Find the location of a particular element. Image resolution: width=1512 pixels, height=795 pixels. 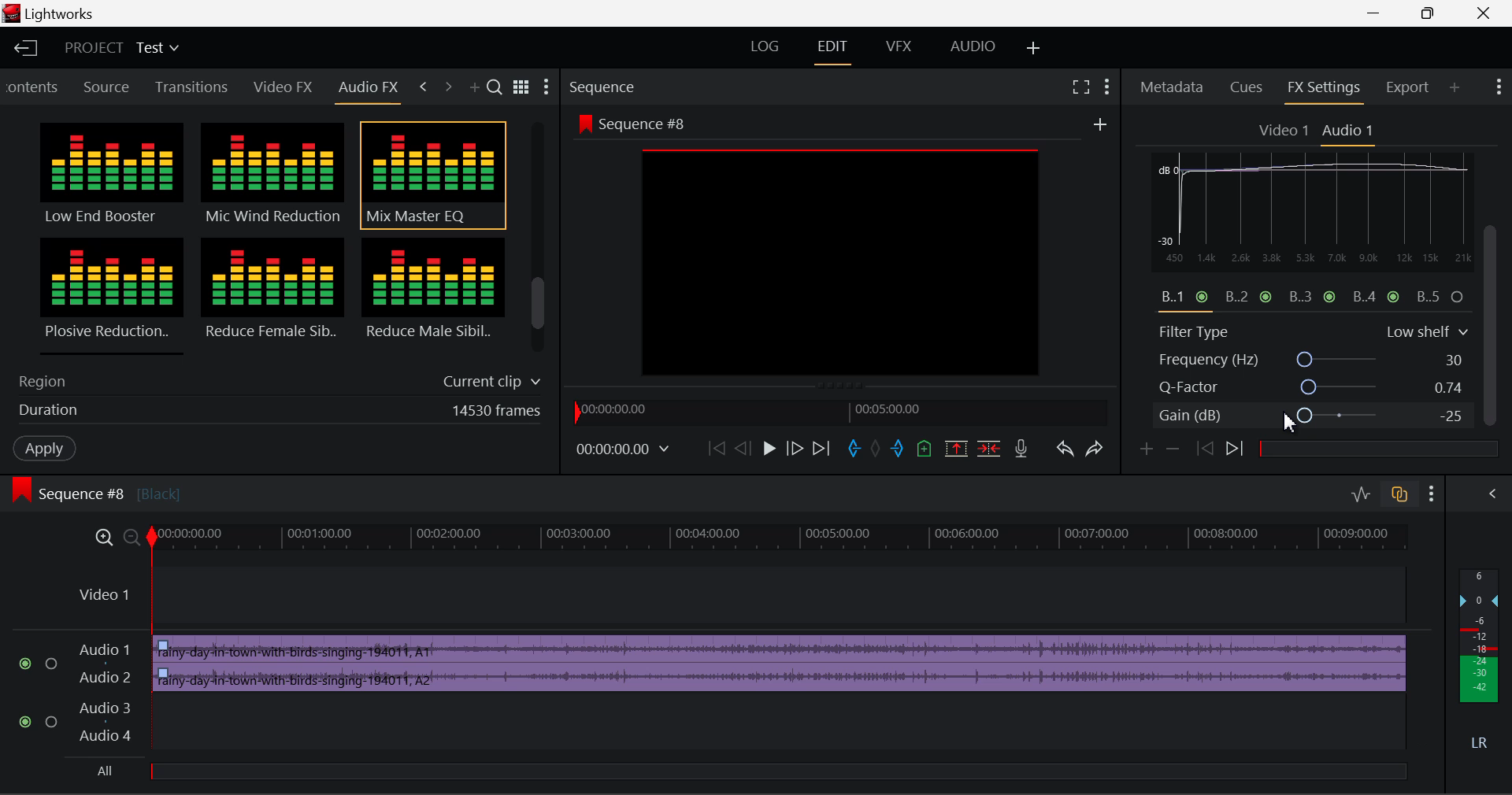

Show Audio Mix is located at coordinates (1490, 494).